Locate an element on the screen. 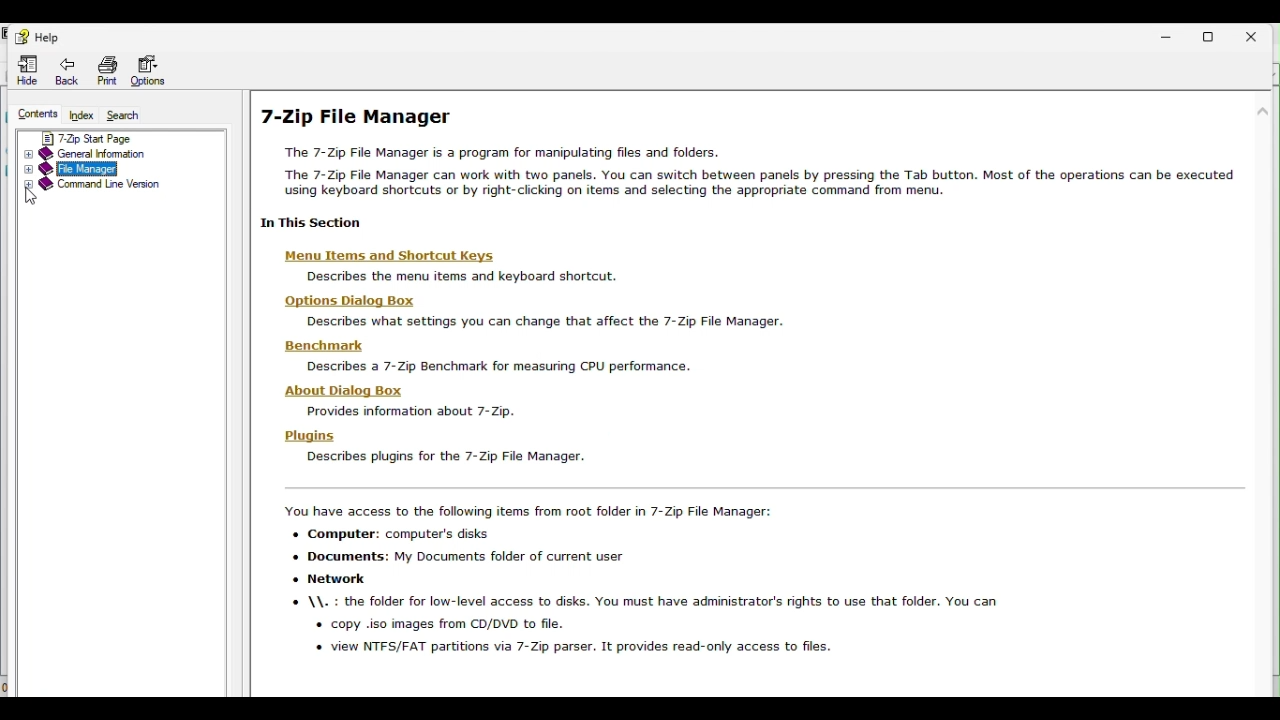 The image size is (1280, 720). 7 zip start page page is located at coordinates (86, 137).